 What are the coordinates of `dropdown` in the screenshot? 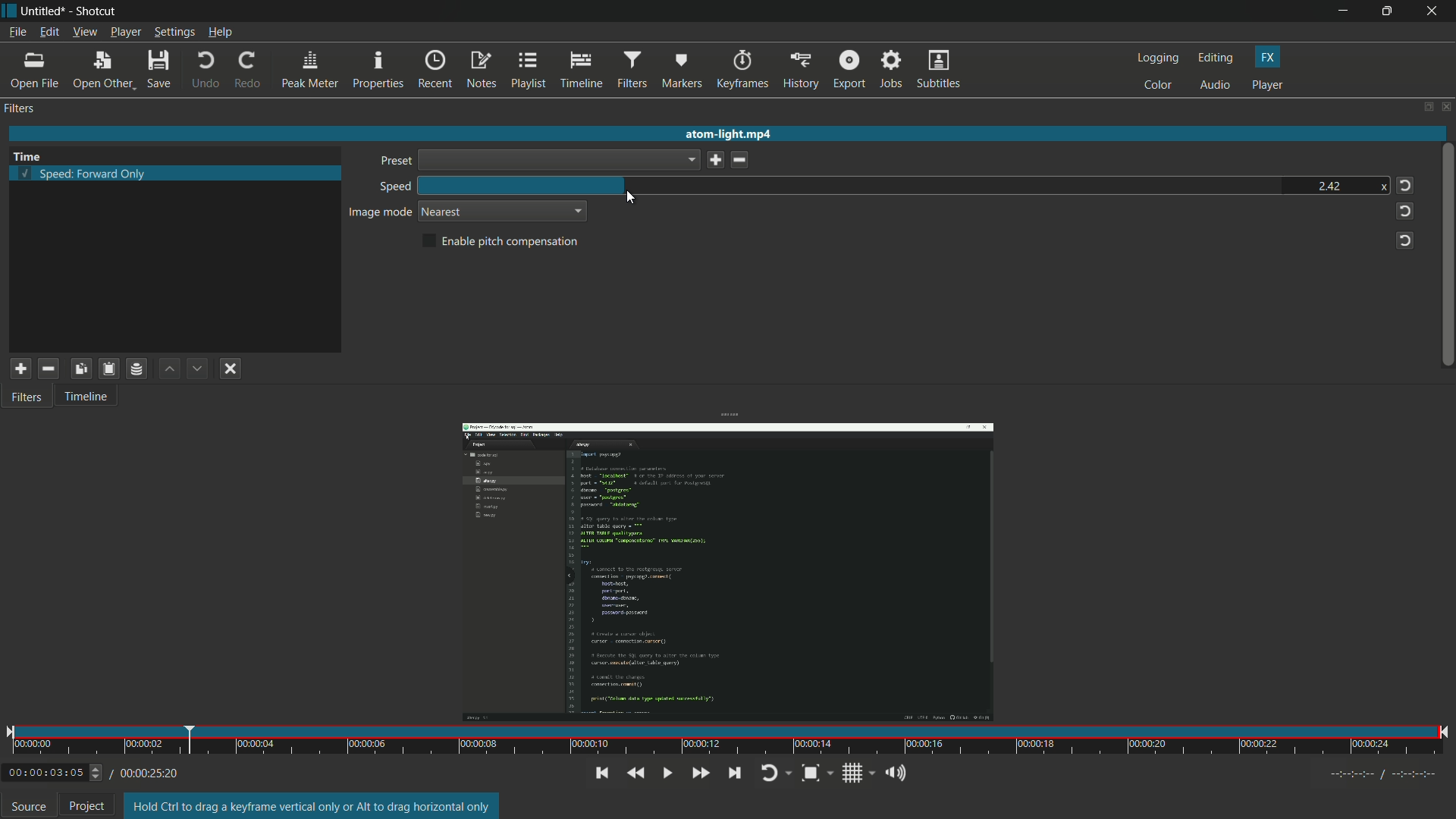 It's located at (559, 160).